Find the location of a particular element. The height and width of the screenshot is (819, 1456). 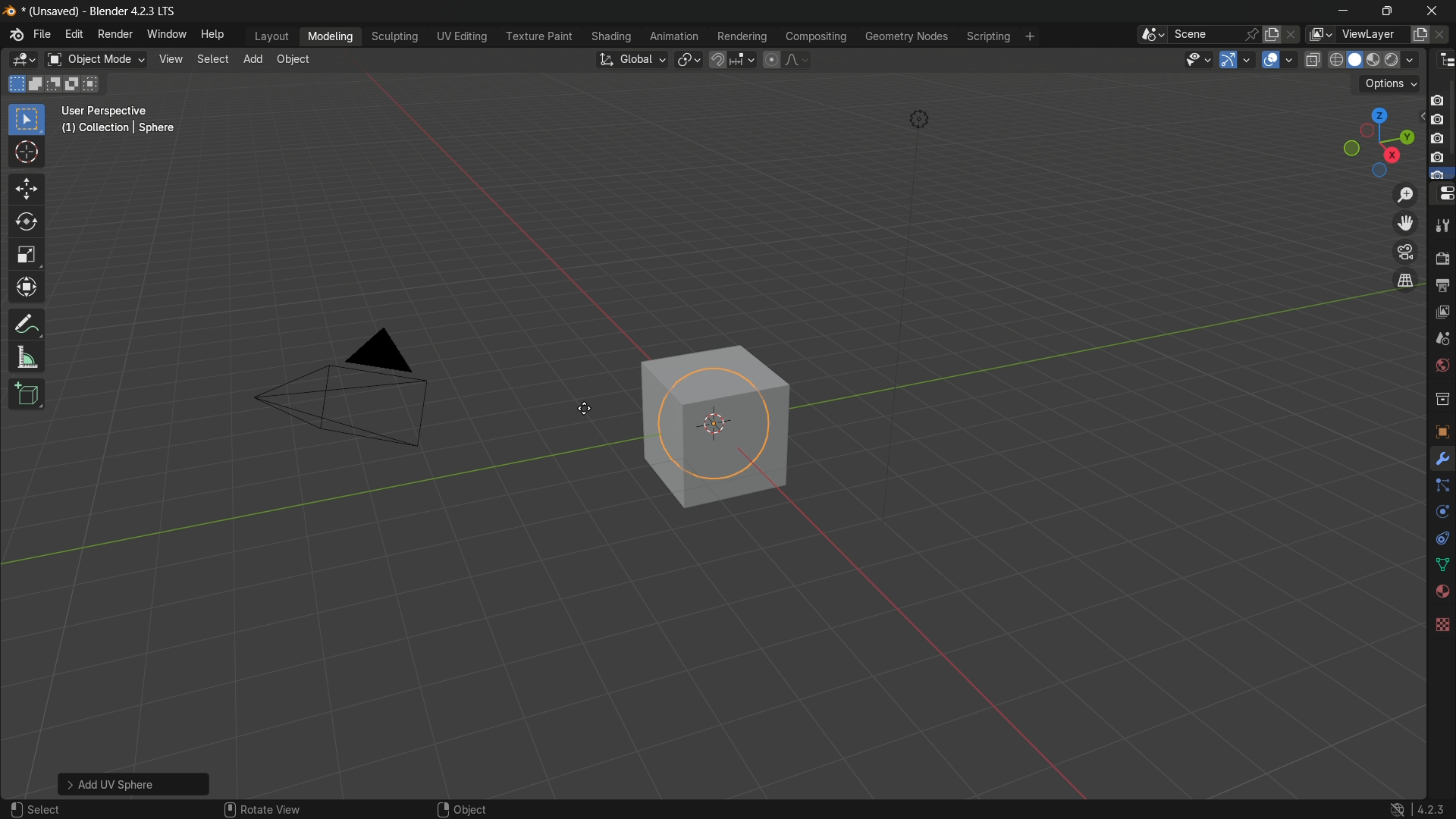

proportional editing falloff is located at coordinates (797, 59).